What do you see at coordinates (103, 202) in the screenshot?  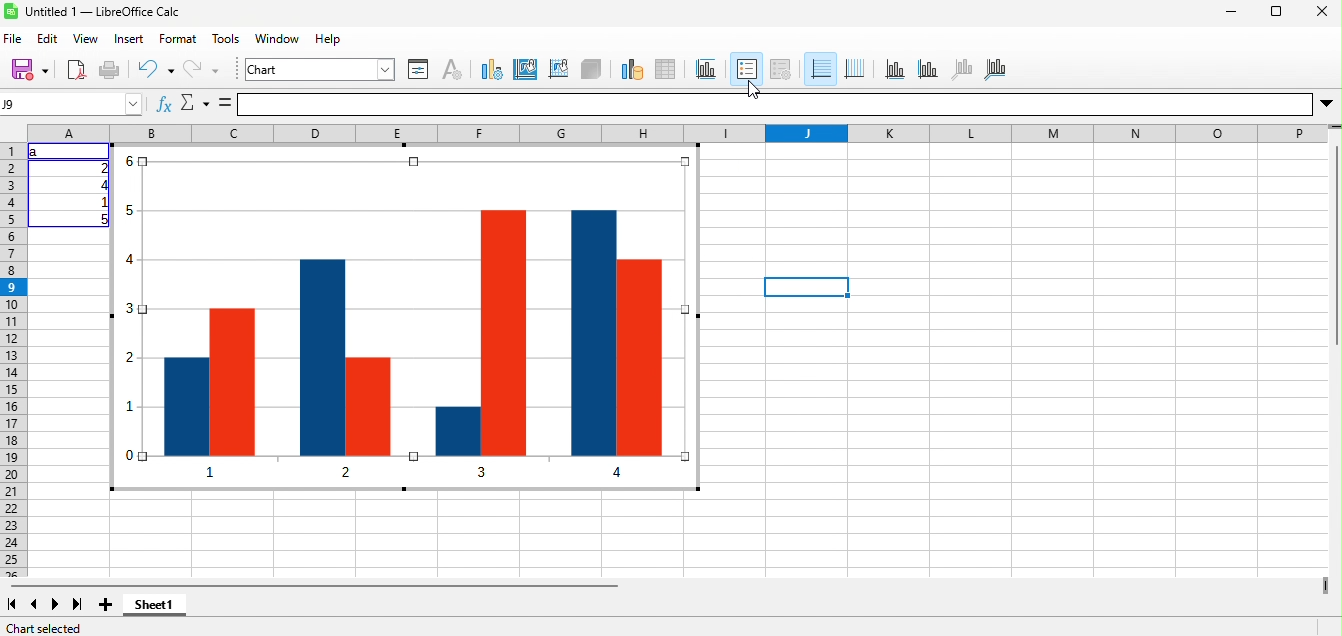 I see `1` at bounding box center [103, 202].